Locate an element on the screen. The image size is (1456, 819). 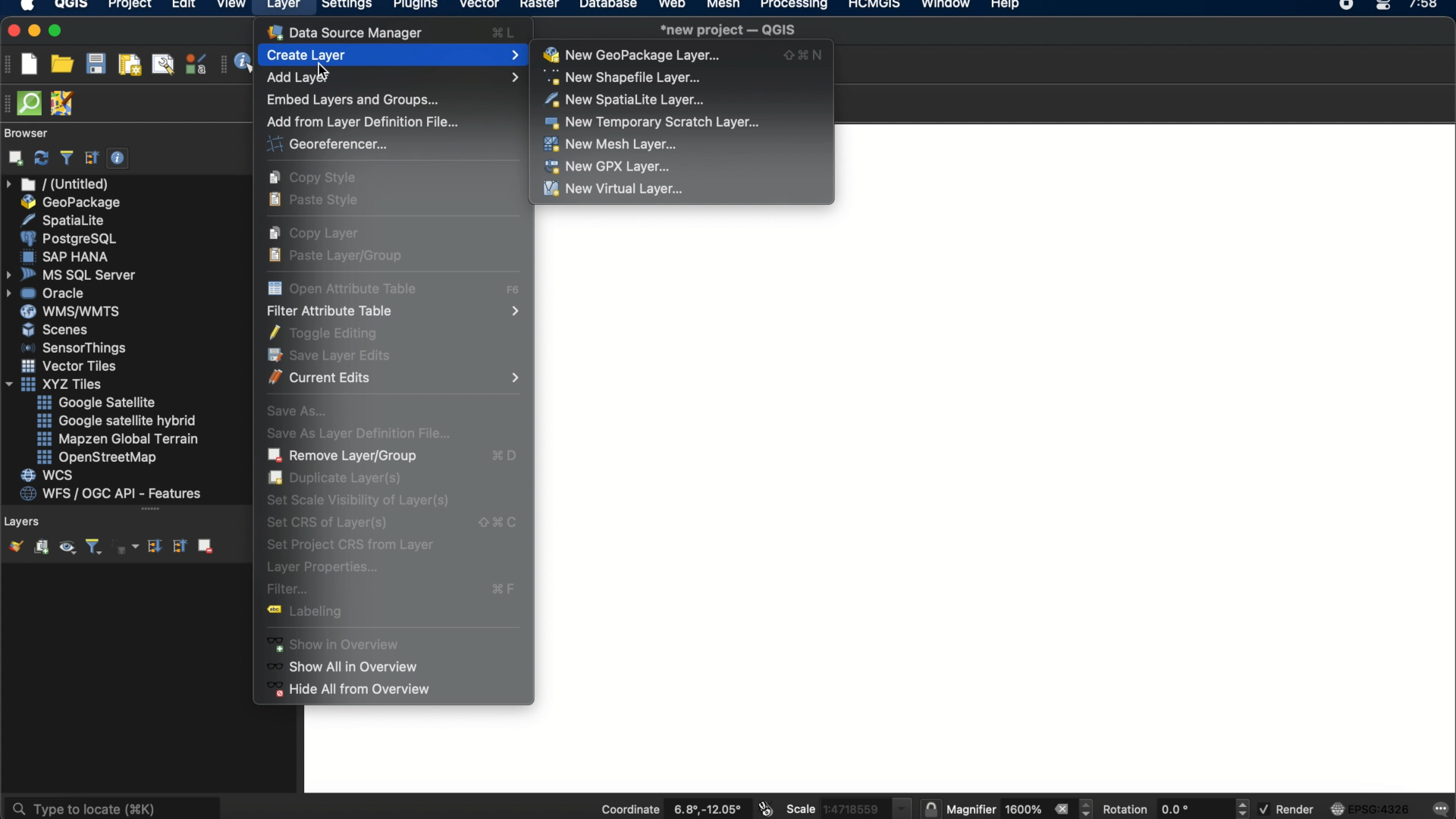
sap hana is located at coordinates (67, 256).